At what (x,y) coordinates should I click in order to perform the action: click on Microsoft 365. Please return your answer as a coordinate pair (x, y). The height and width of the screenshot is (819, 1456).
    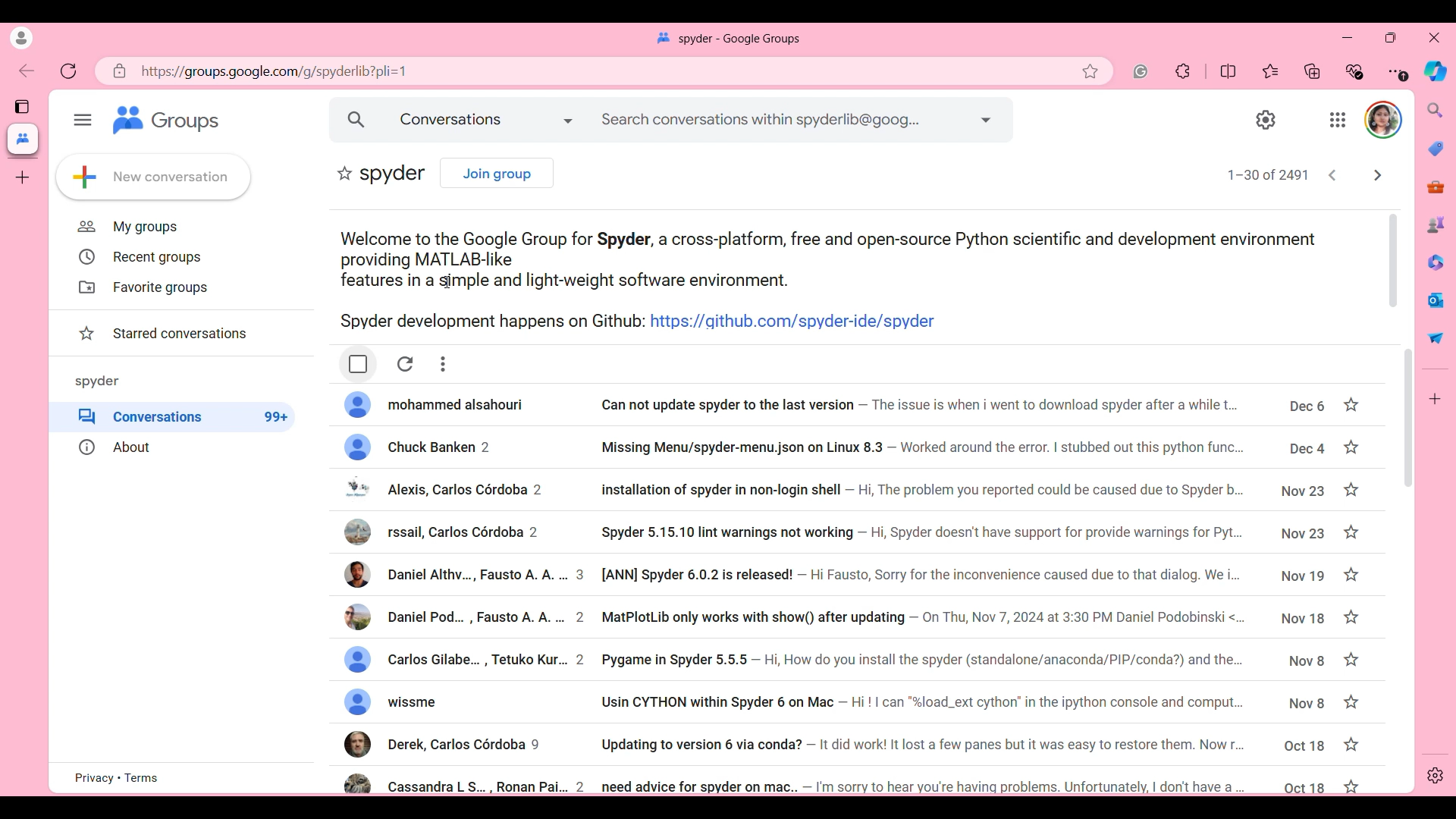
    Looking at the image, I should click on (1436, 262).